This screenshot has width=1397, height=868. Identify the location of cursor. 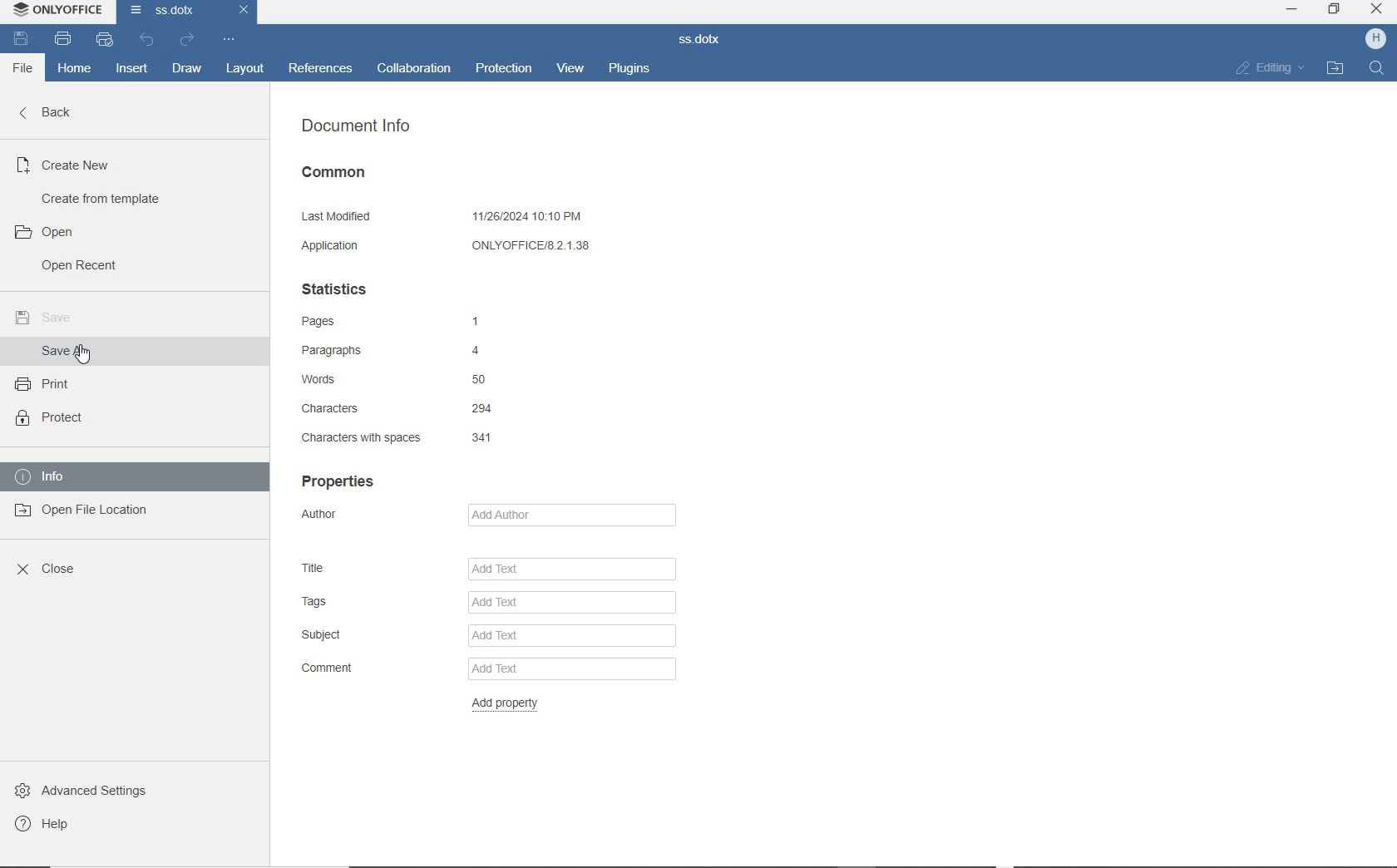
(84, 355).